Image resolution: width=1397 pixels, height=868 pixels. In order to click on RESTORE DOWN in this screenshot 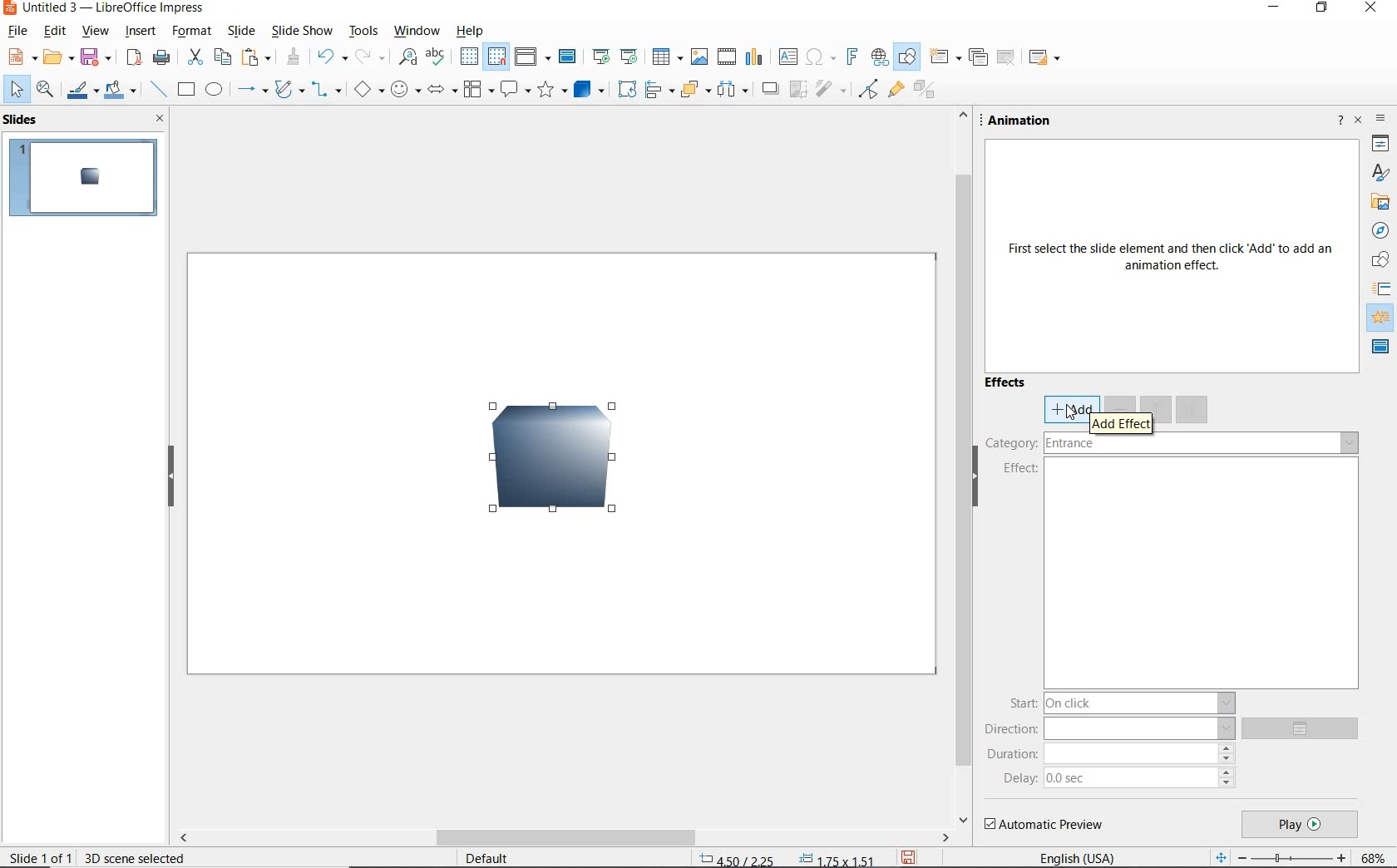, I will do `click(1323, 11)`.